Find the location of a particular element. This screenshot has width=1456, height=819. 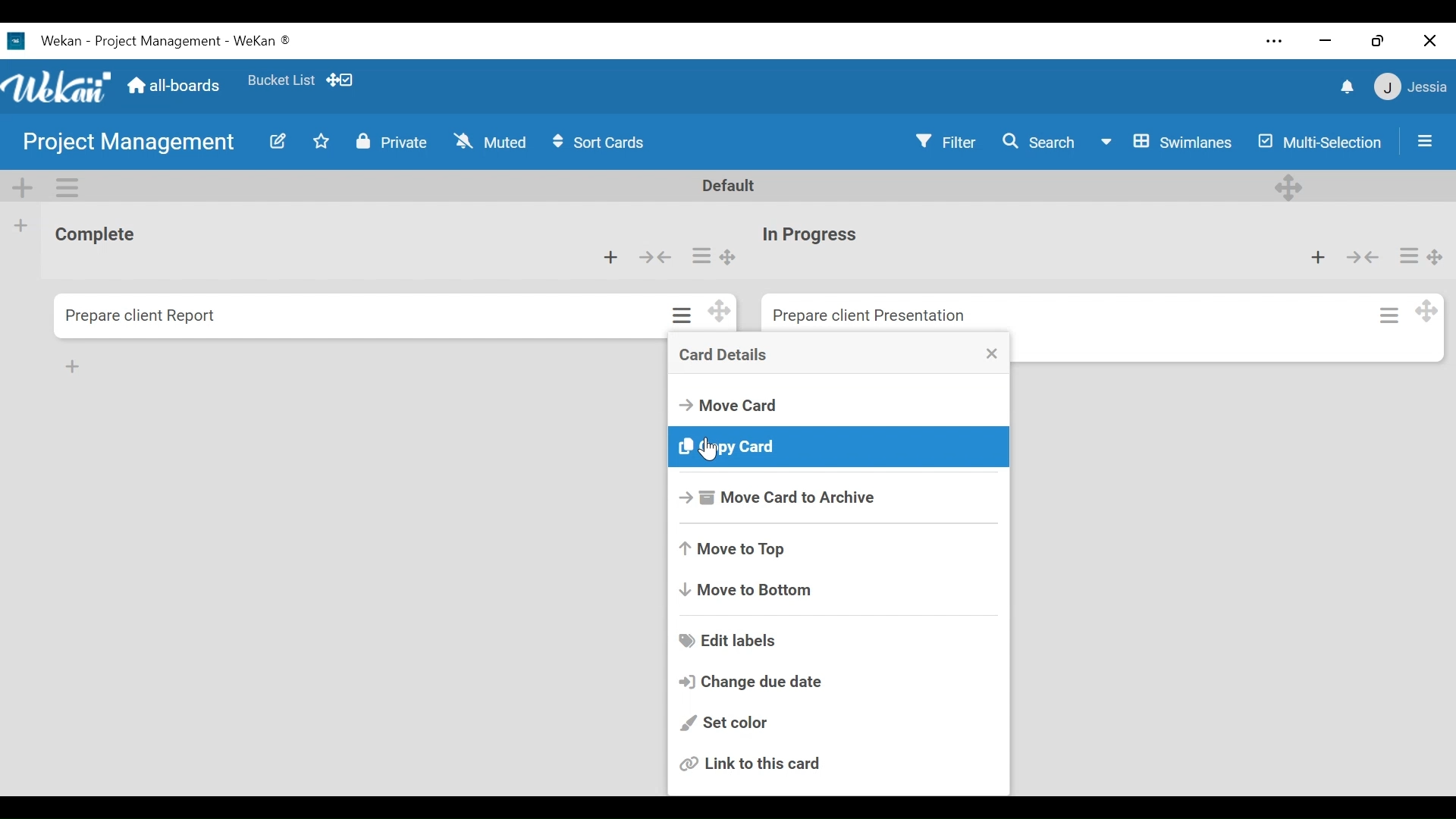

Card actions is located at coordinates (684, 317).